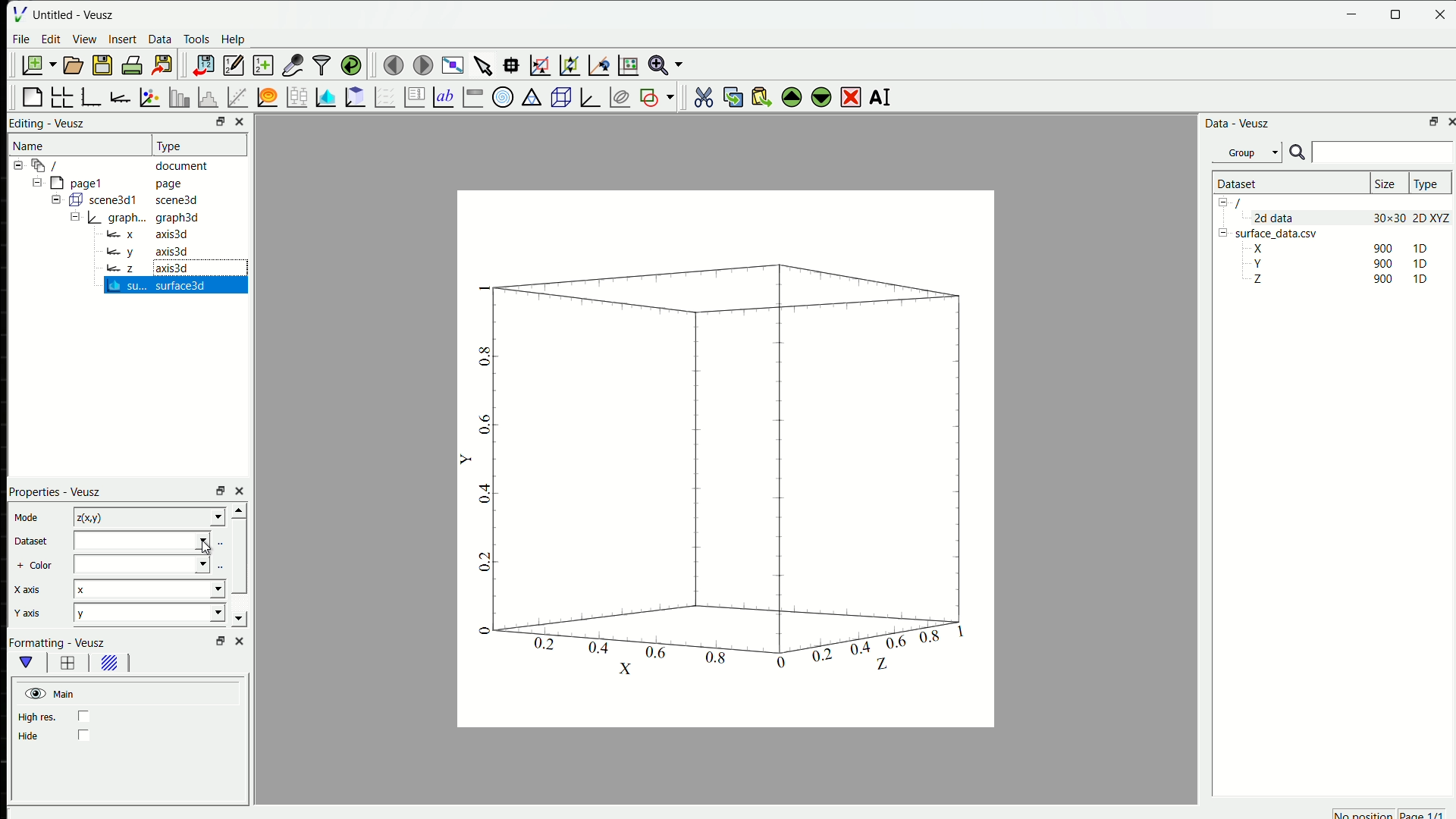 The height and width of the screenshot is (819, 1456). Describe the element at coordinates (240, 121) in the screenshot. I see `close` at that location.